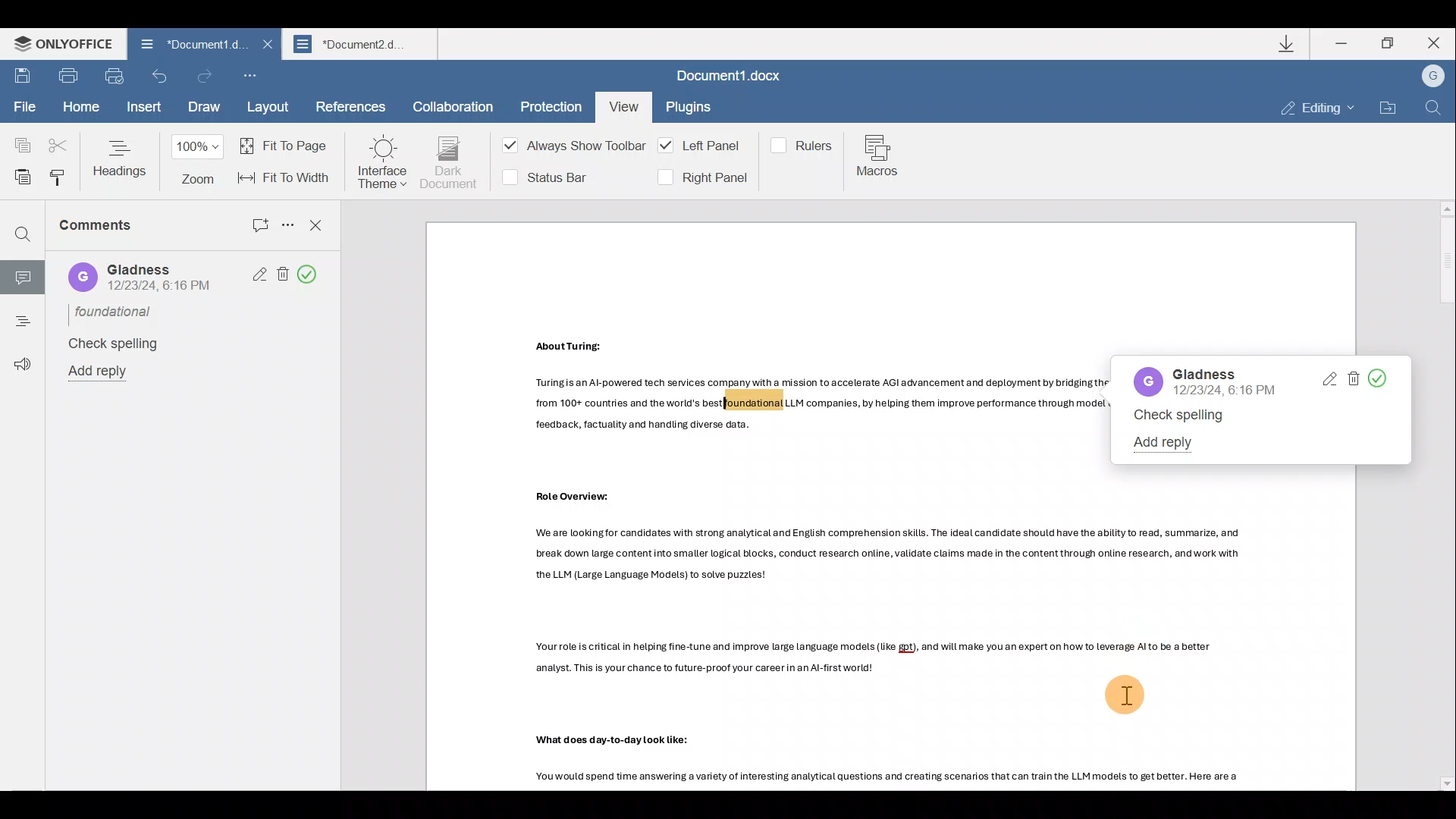  Describe the element at coordinates (364, 46) in the screenshot. I see `Document2.d..` at that location.